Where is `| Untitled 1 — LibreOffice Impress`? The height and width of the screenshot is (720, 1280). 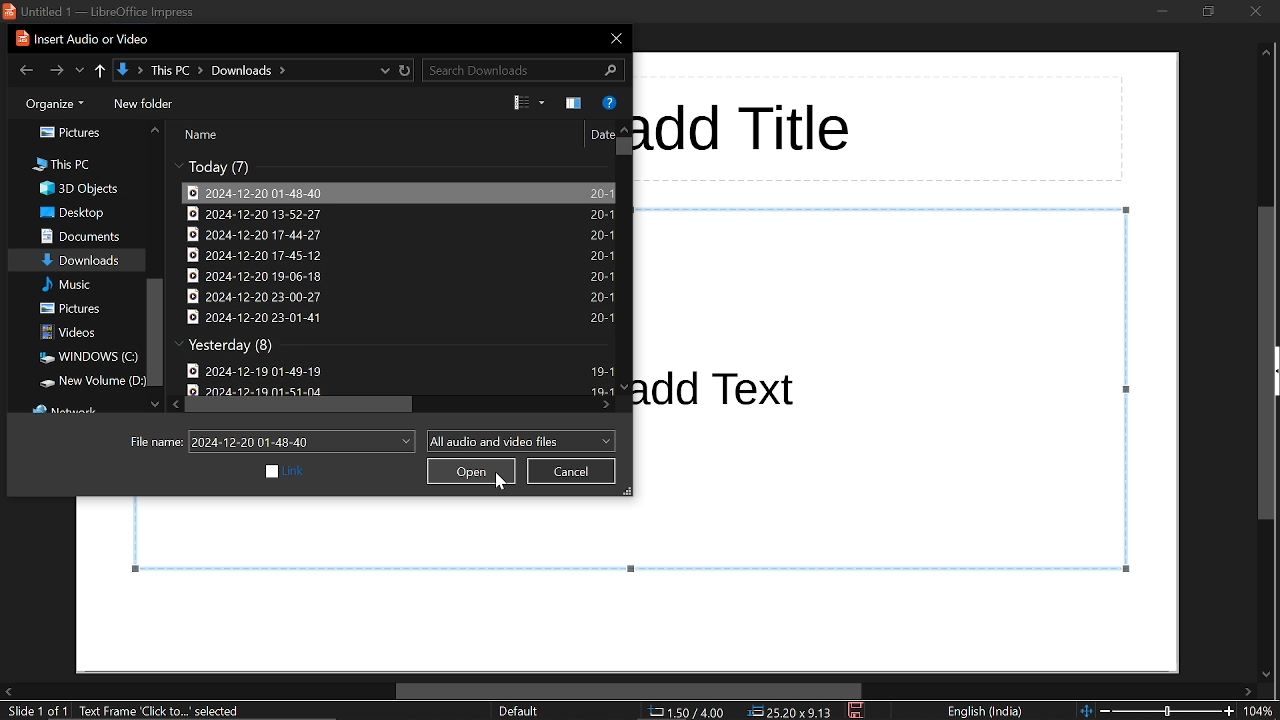 | Untitled 1 — LibreOffice Impress is located at coordinates (102, 10).